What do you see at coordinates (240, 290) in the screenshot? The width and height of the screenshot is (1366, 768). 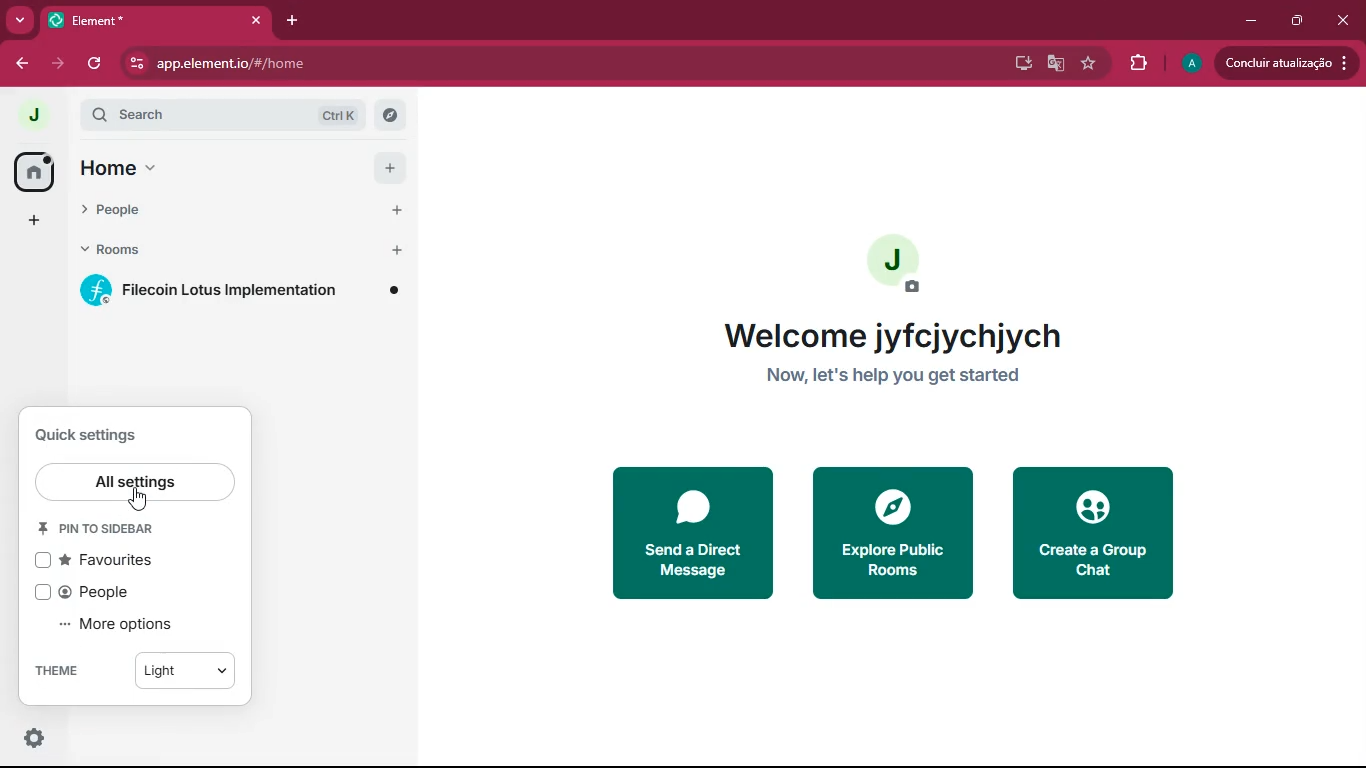 I see `filecoin lotus implementation` at bounding box center [240, 290].